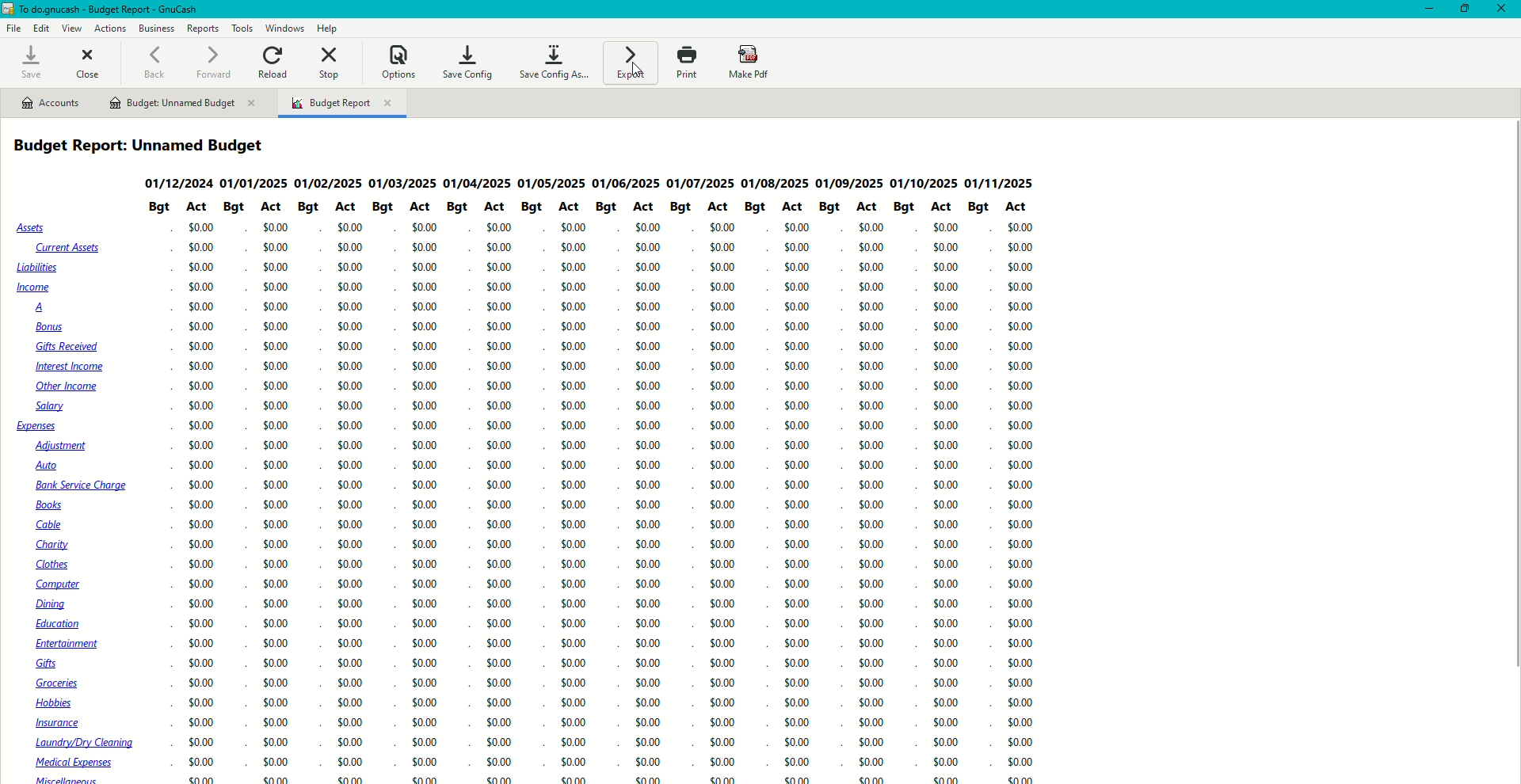 This screenshot has height=784, width=1521. What do you see at coordinates (351, 266) in the screenshot?
I see `0.00` at bounding box center [351, 266].